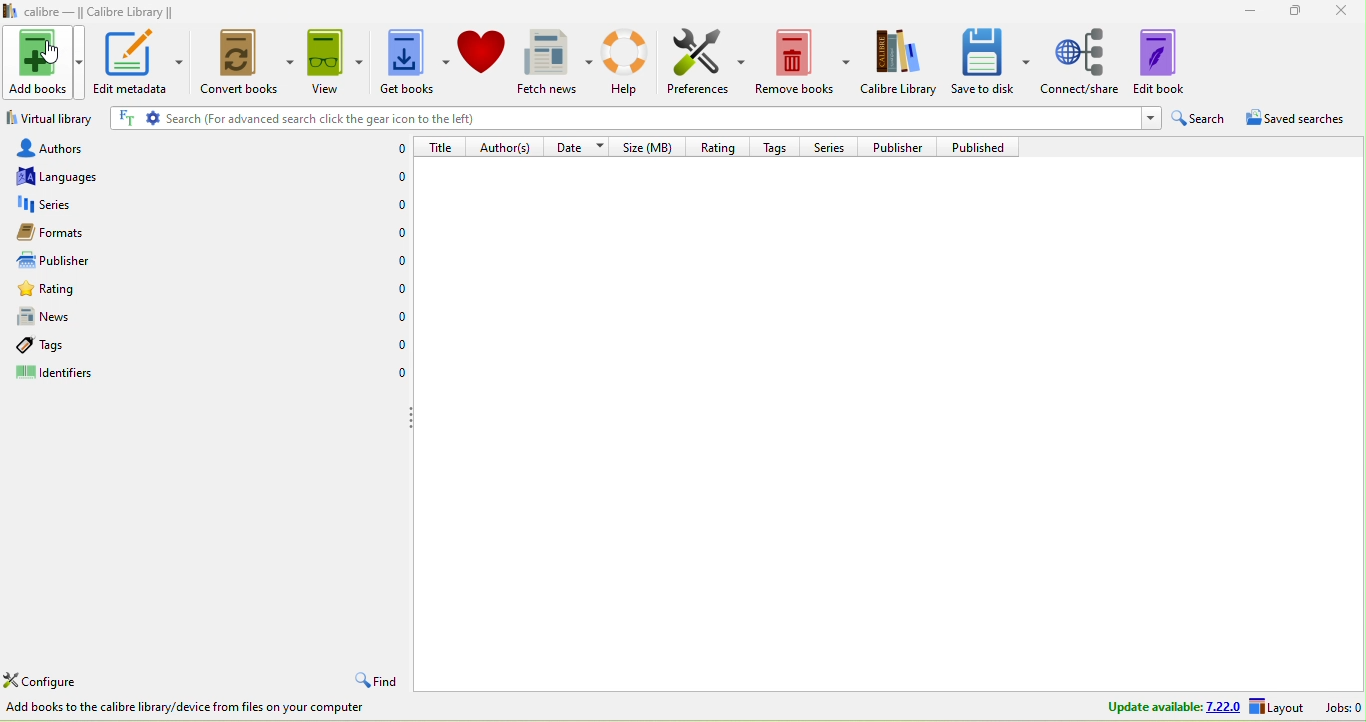  What do you see at coordinates (558, 62) in the screenshot?
I see `fetch news` at bounding box center [558, 62].